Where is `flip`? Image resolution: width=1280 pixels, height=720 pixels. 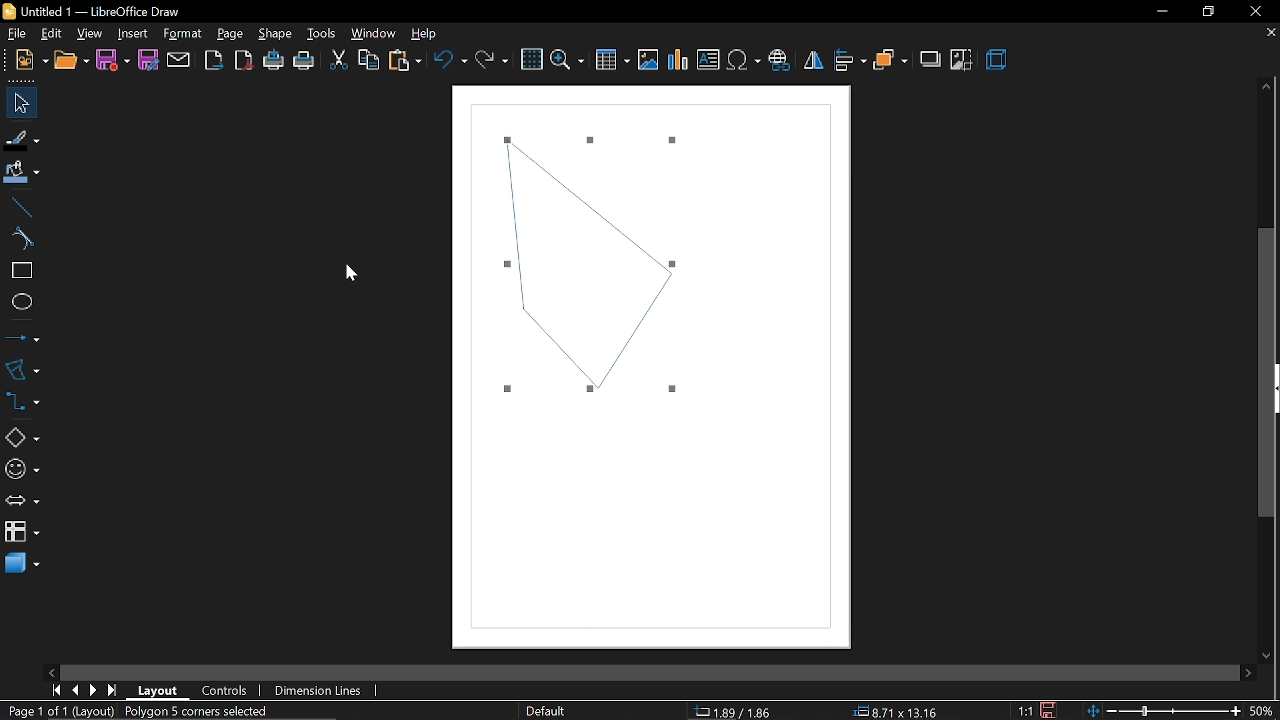 flip is located at coordinates (814, 61).